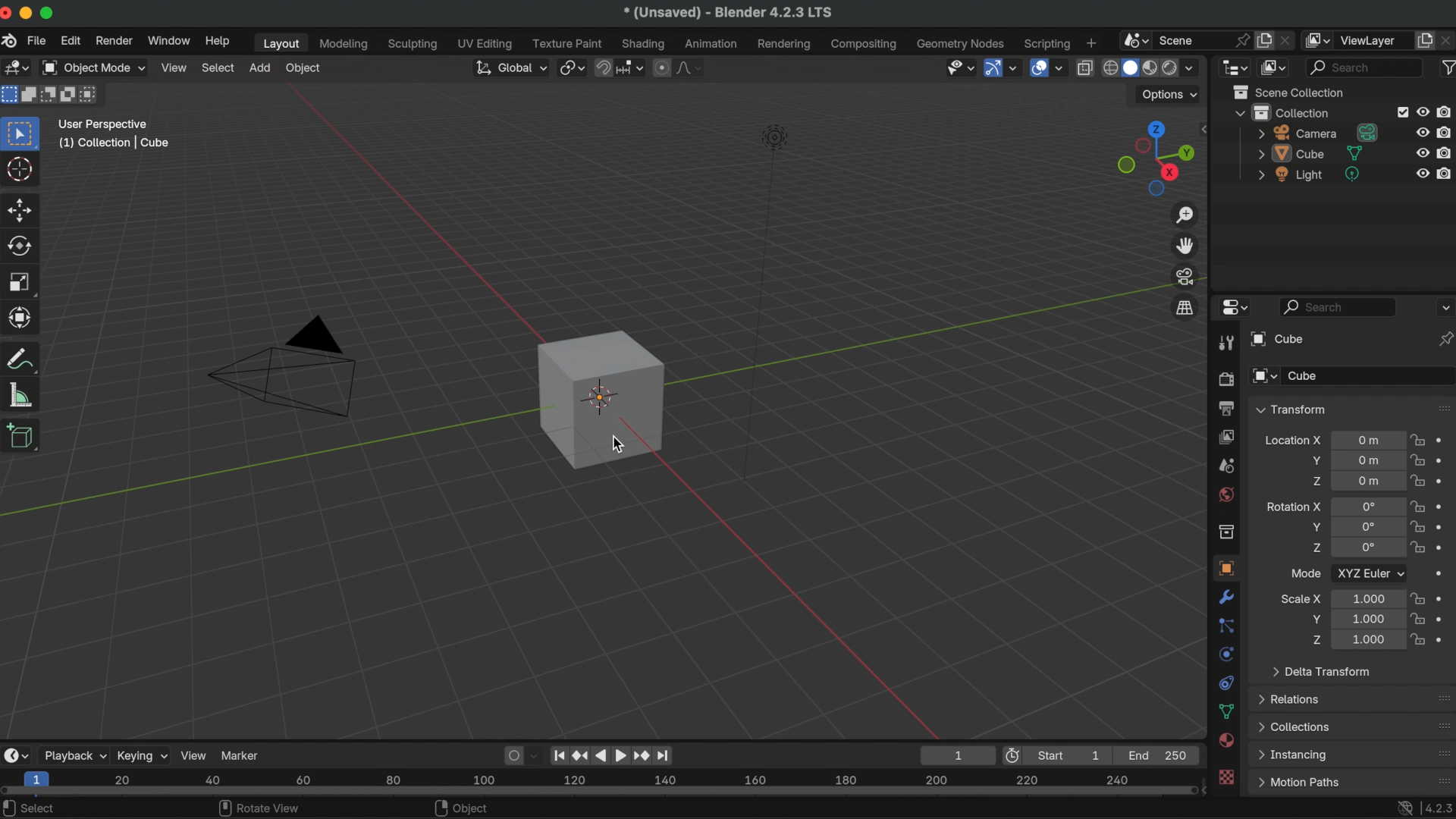 The image size is (1456, 819). Describe the element at coordinates (1443, 576) in the screenshot. I see `animate property` at that location.